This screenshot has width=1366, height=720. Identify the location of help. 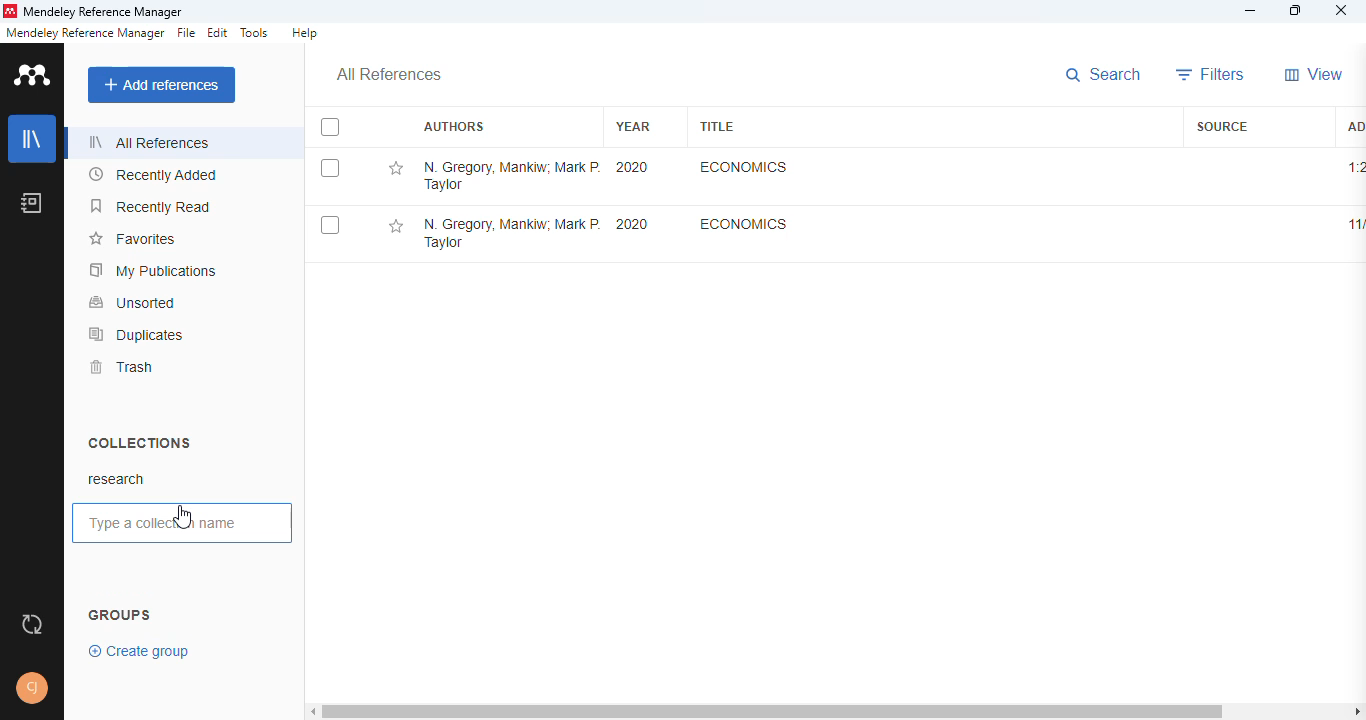
(304, 33).